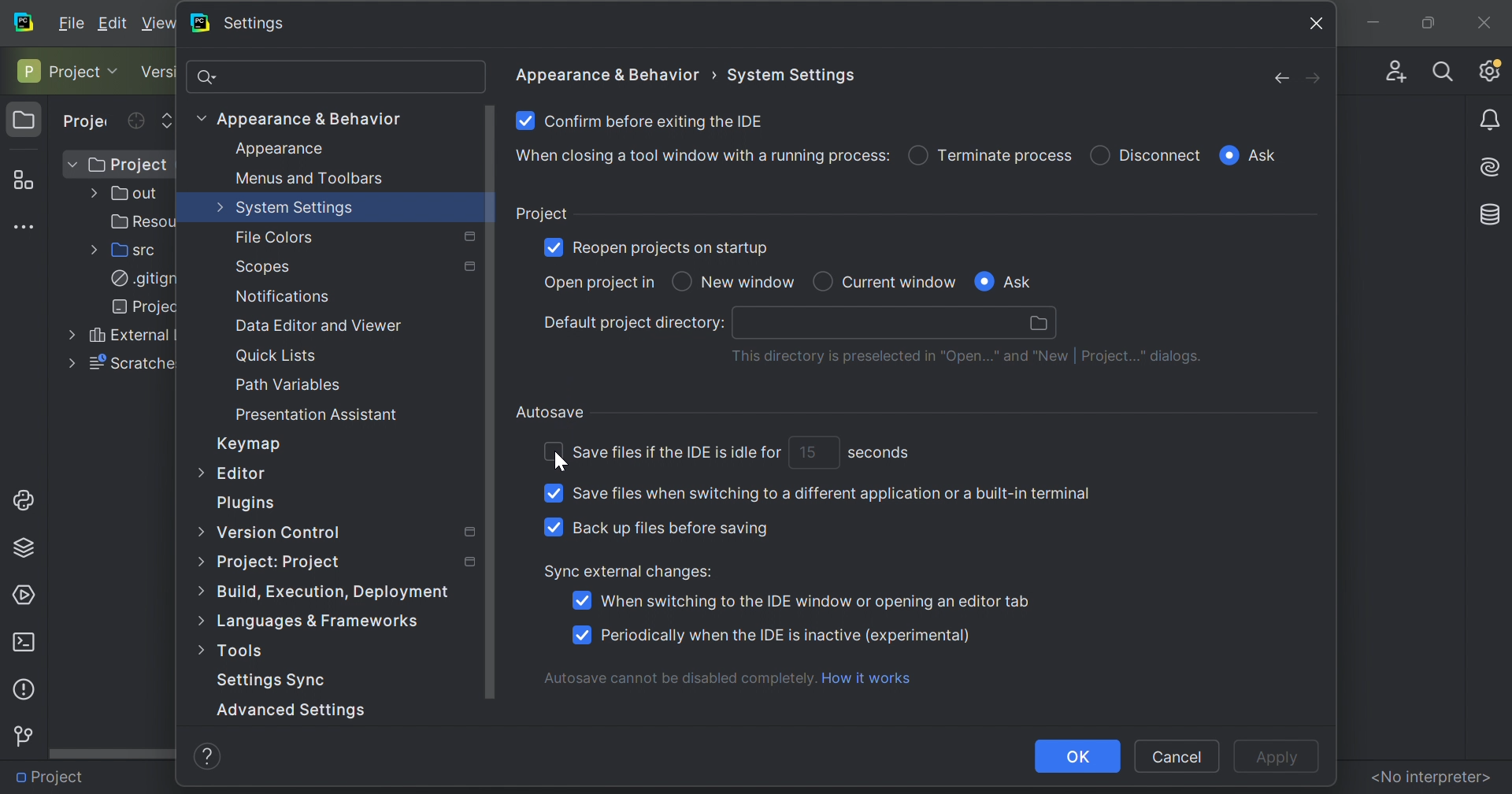 This screenshot has height=794, width=1512. I want to click on Checkbox, so click(552, 525).